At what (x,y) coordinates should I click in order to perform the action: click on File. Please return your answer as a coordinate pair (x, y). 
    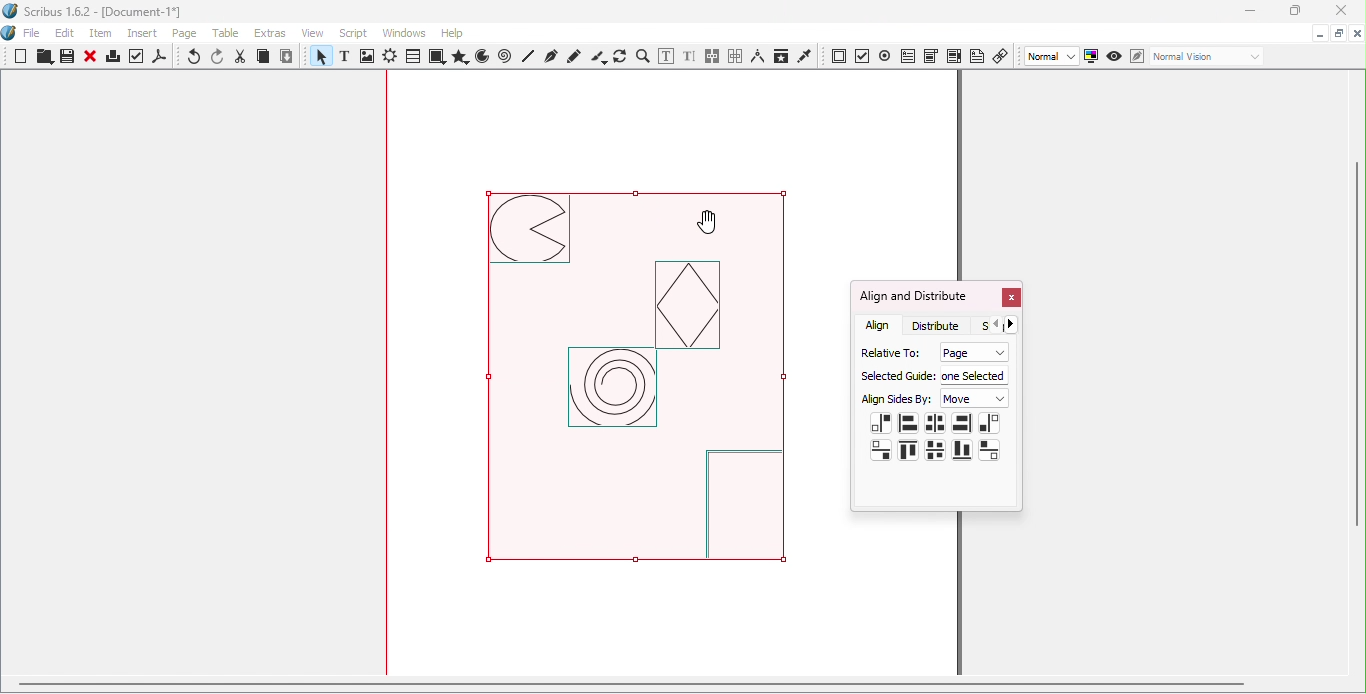
    Looking at the image, I should click on (32, 34).